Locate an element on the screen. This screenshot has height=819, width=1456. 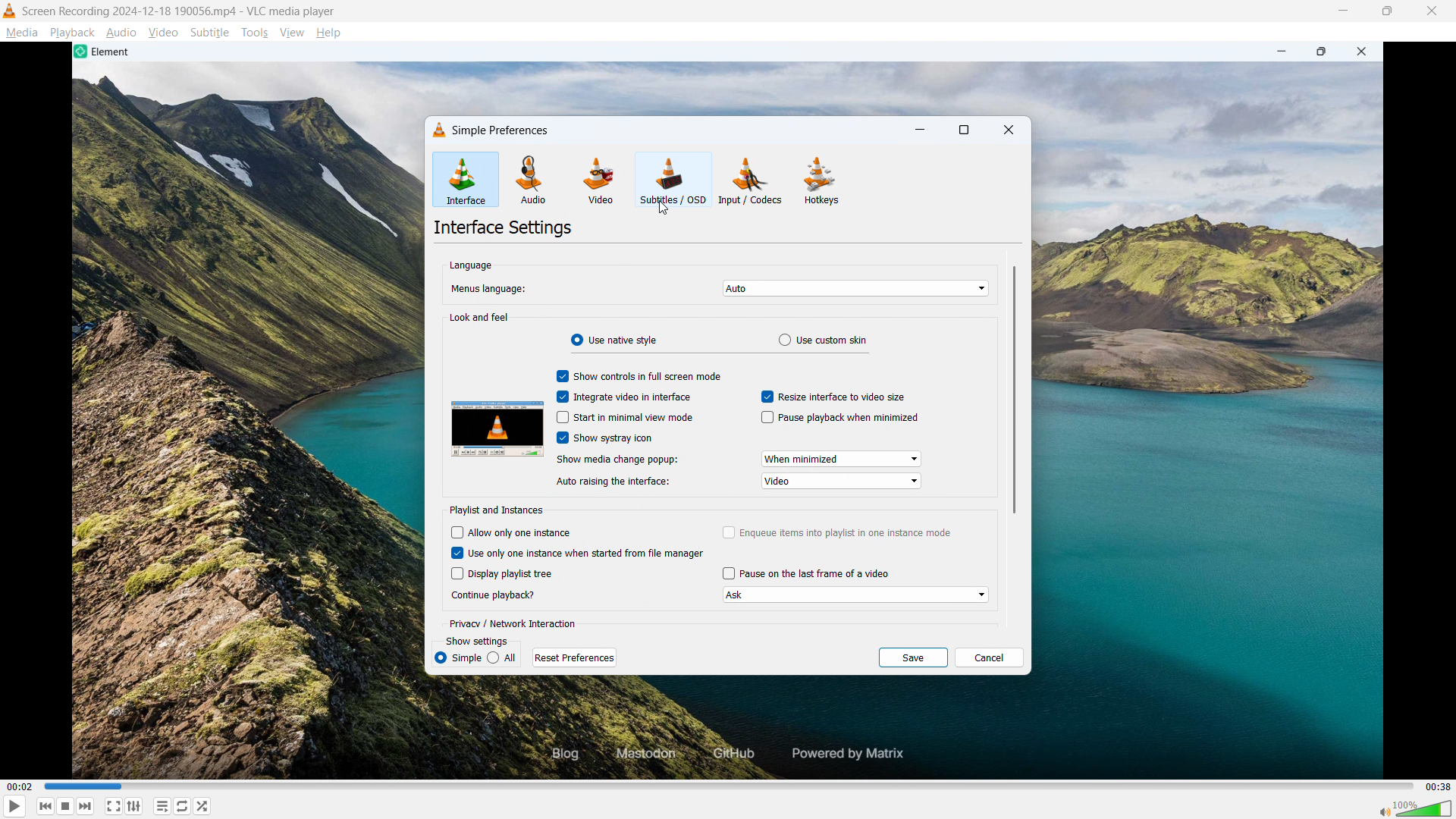
Subtitles are OSD  is located at coordinates (674, 179).